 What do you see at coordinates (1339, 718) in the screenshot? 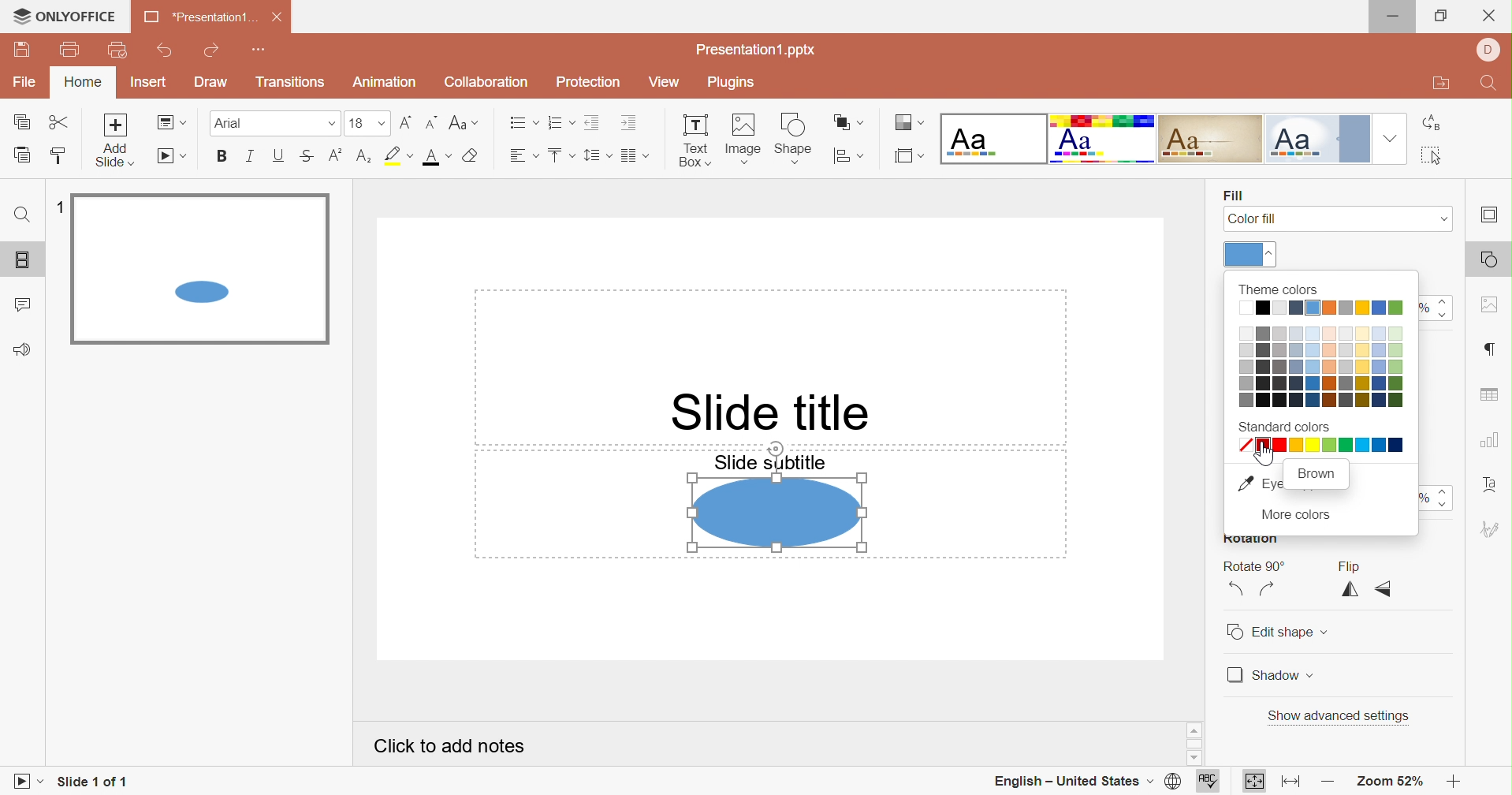
I see `Show advanced settings` at bounding box center [1339, 718].